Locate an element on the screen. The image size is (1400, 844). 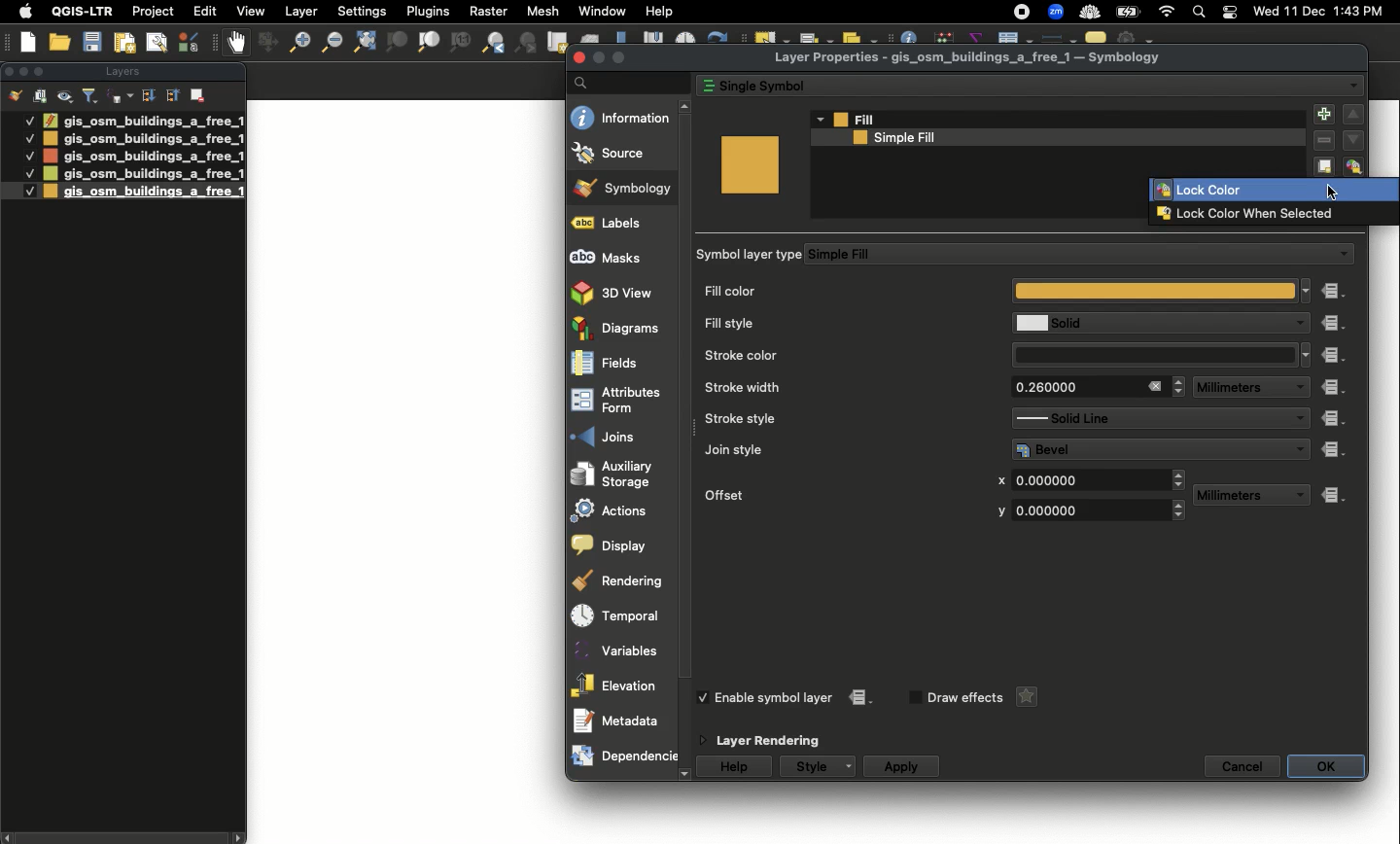
Open the layer styling panel is located at coordinates (16, 96).